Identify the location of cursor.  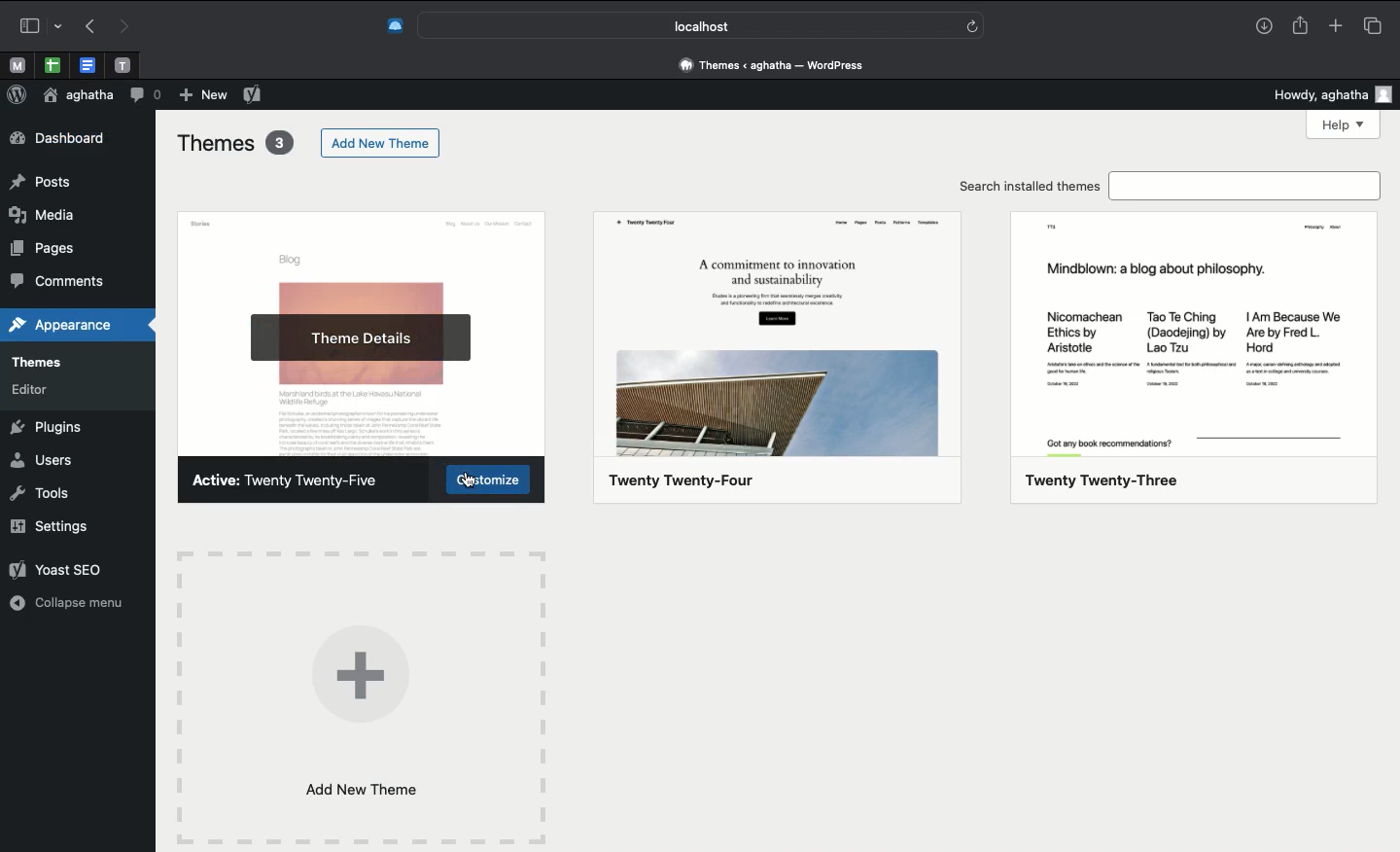
(469, 474).